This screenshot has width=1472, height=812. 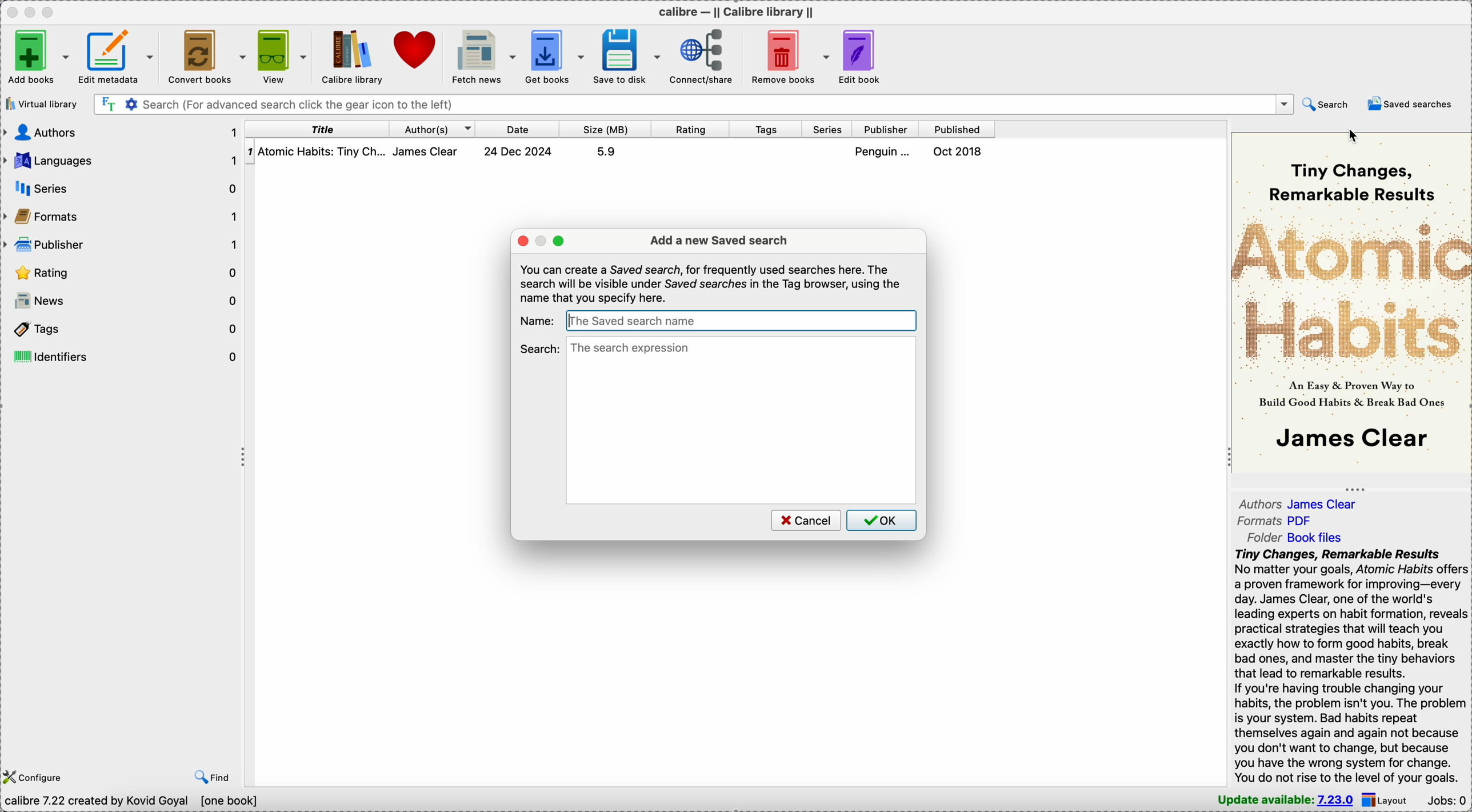 I want to click on authors James Clear, so click(x=1304, y=502).